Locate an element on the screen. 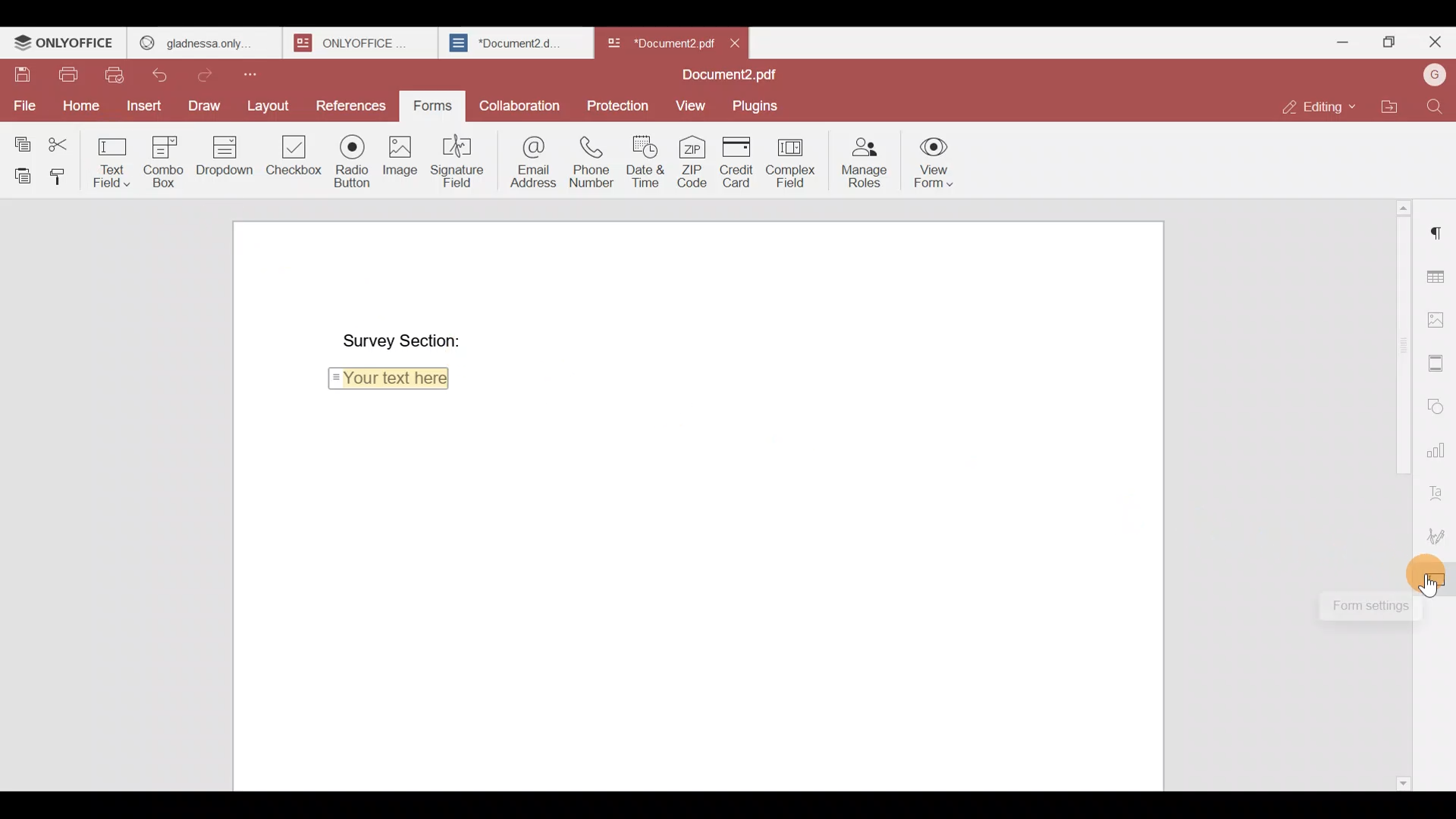 The height and width of the screenshot is (819, 1456). Open file location is located at coordinates (1396, 108).